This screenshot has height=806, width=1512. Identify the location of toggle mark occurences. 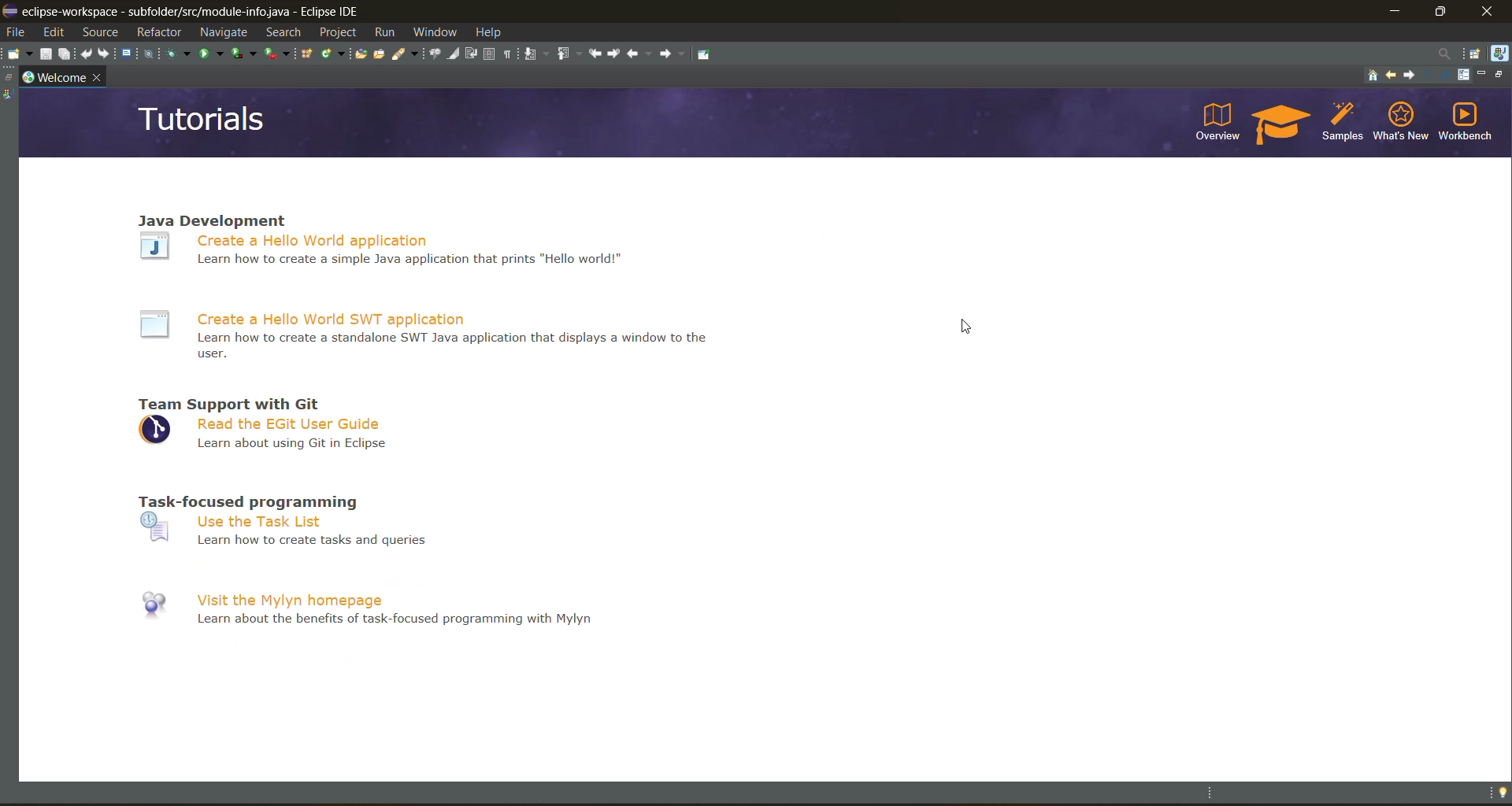
(456, 54).